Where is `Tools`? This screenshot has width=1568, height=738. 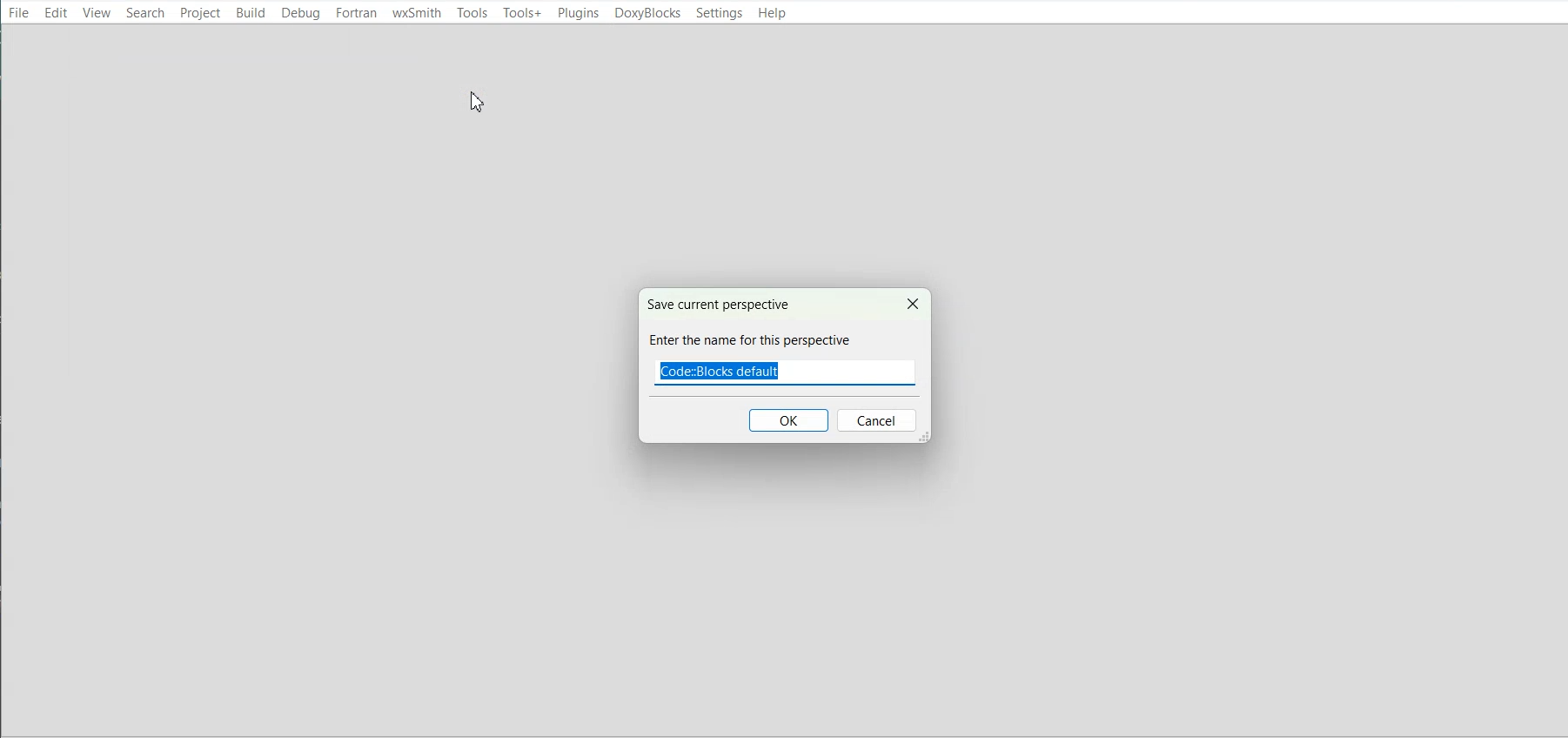 Tools is located at coordinates (472, 12).